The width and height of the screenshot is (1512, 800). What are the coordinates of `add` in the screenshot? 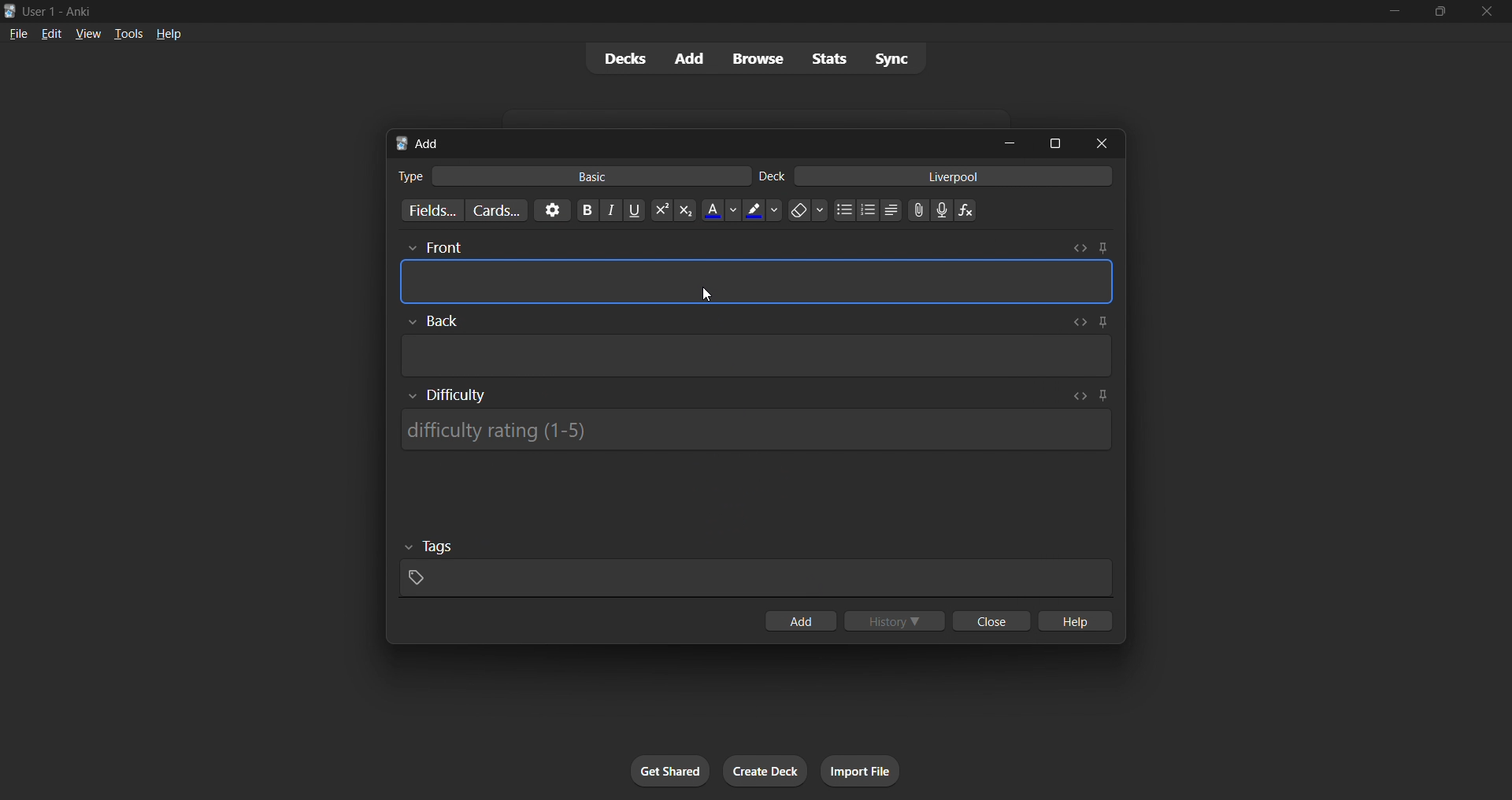 It's located at (691, 59).